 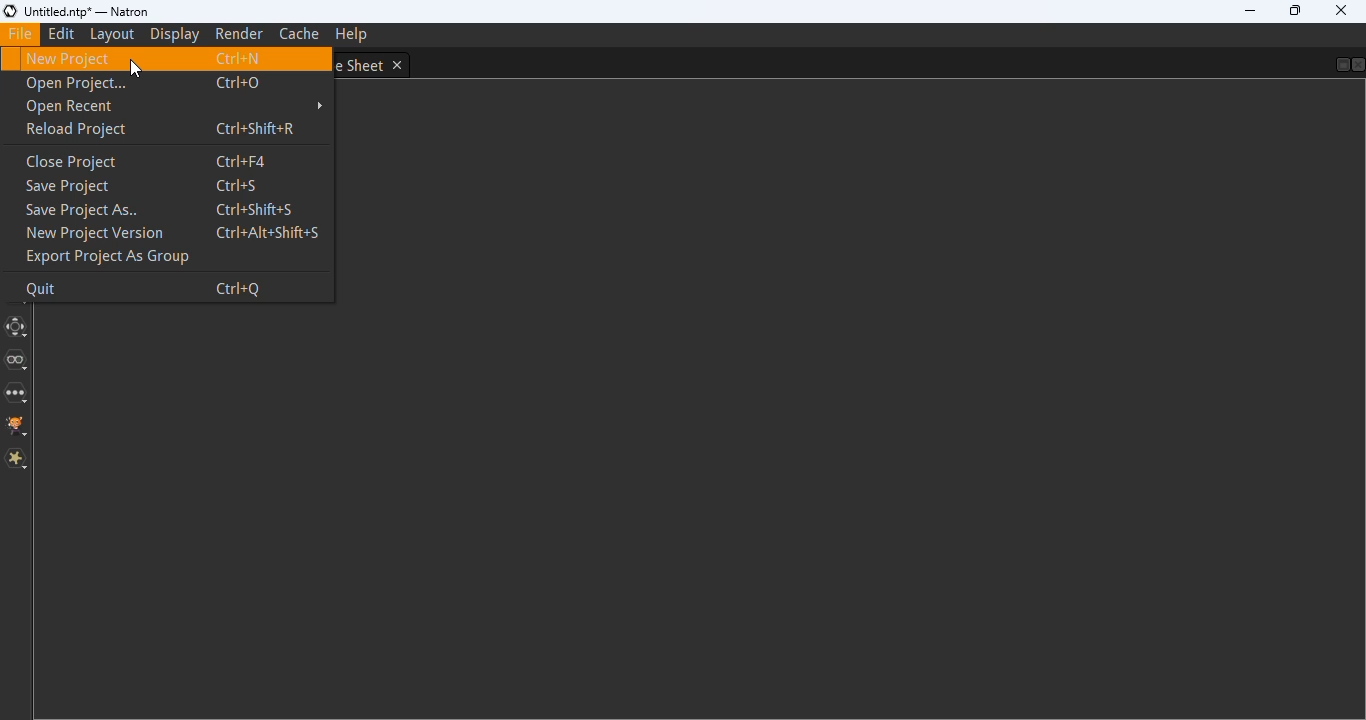 I want to click on new project, so click(x=170, y=59).